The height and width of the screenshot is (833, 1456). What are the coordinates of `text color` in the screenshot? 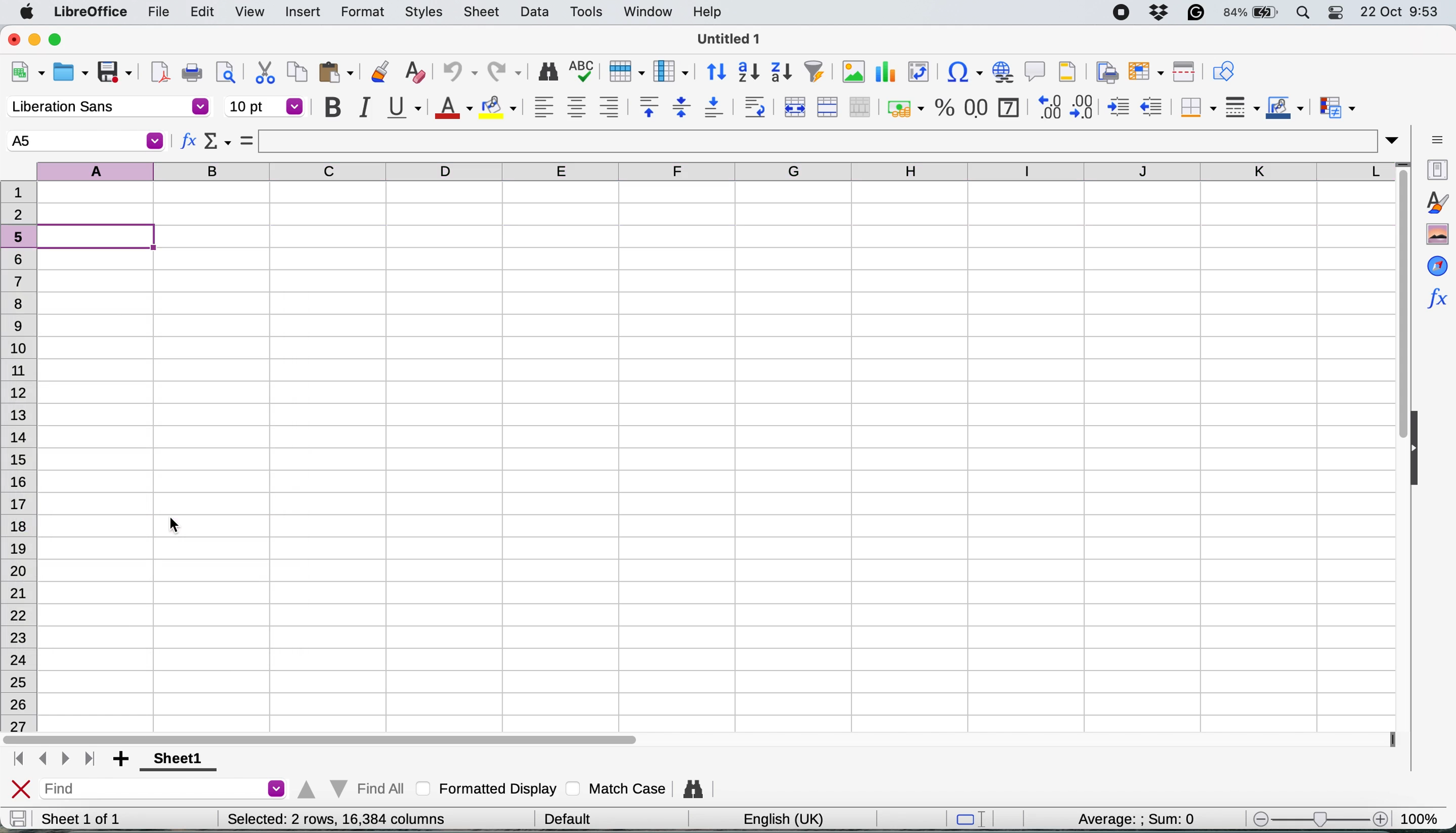 It's located at (452, 108).